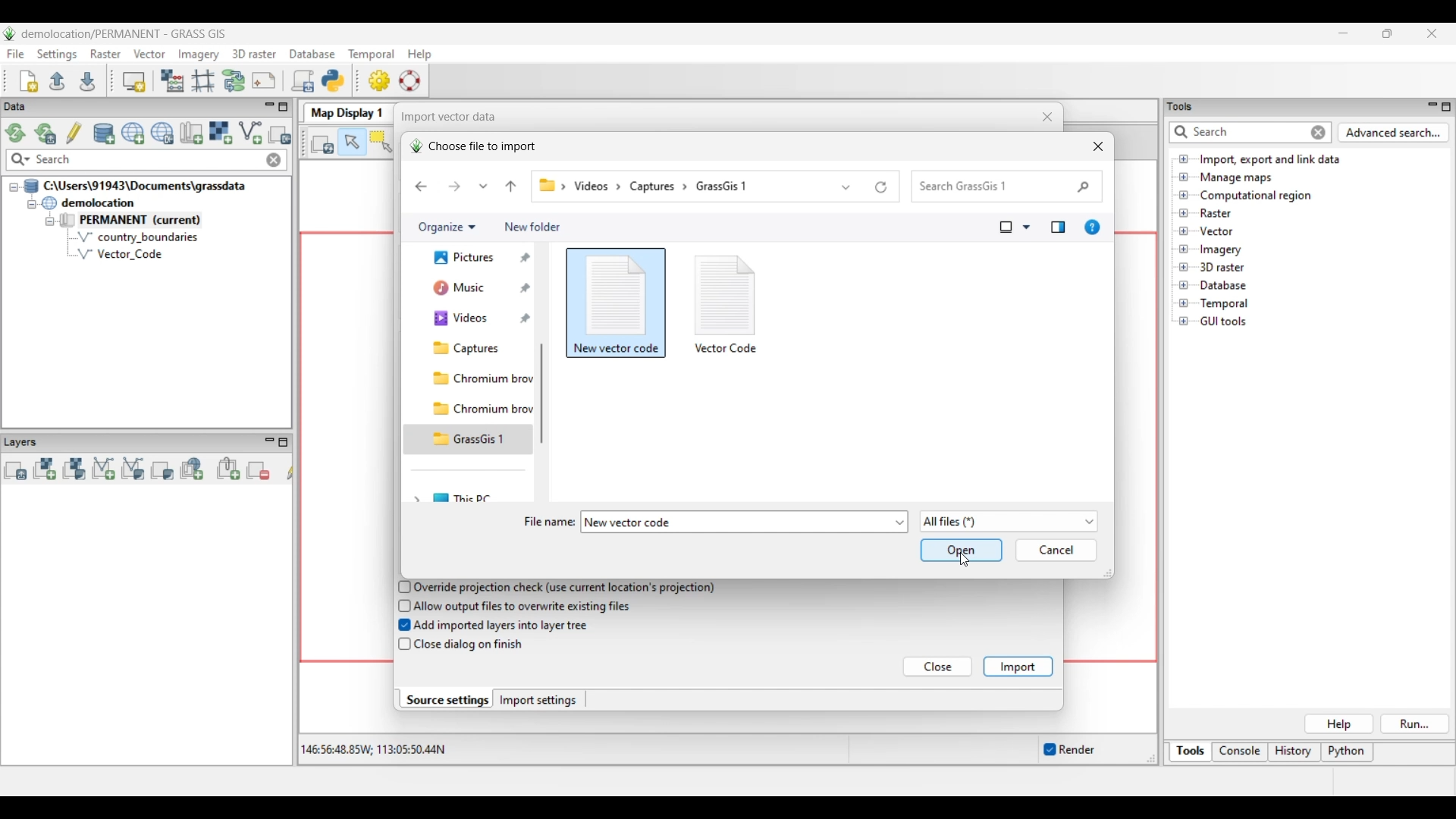 Image resolution: width=1456 pixels, height=819 pixels. I want to click on Allow edits outside of the current mapset, so click(74, 133).